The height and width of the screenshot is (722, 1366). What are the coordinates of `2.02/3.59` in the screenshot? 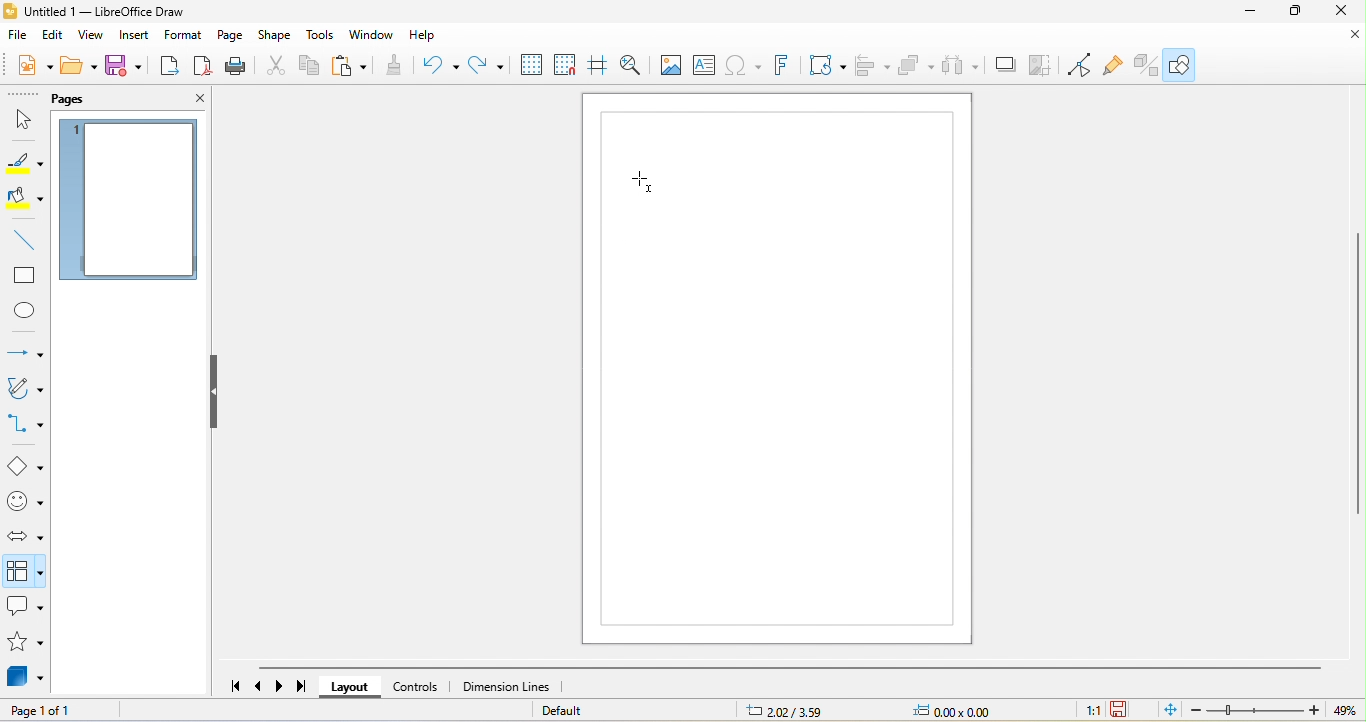 It's located at (786, 710).